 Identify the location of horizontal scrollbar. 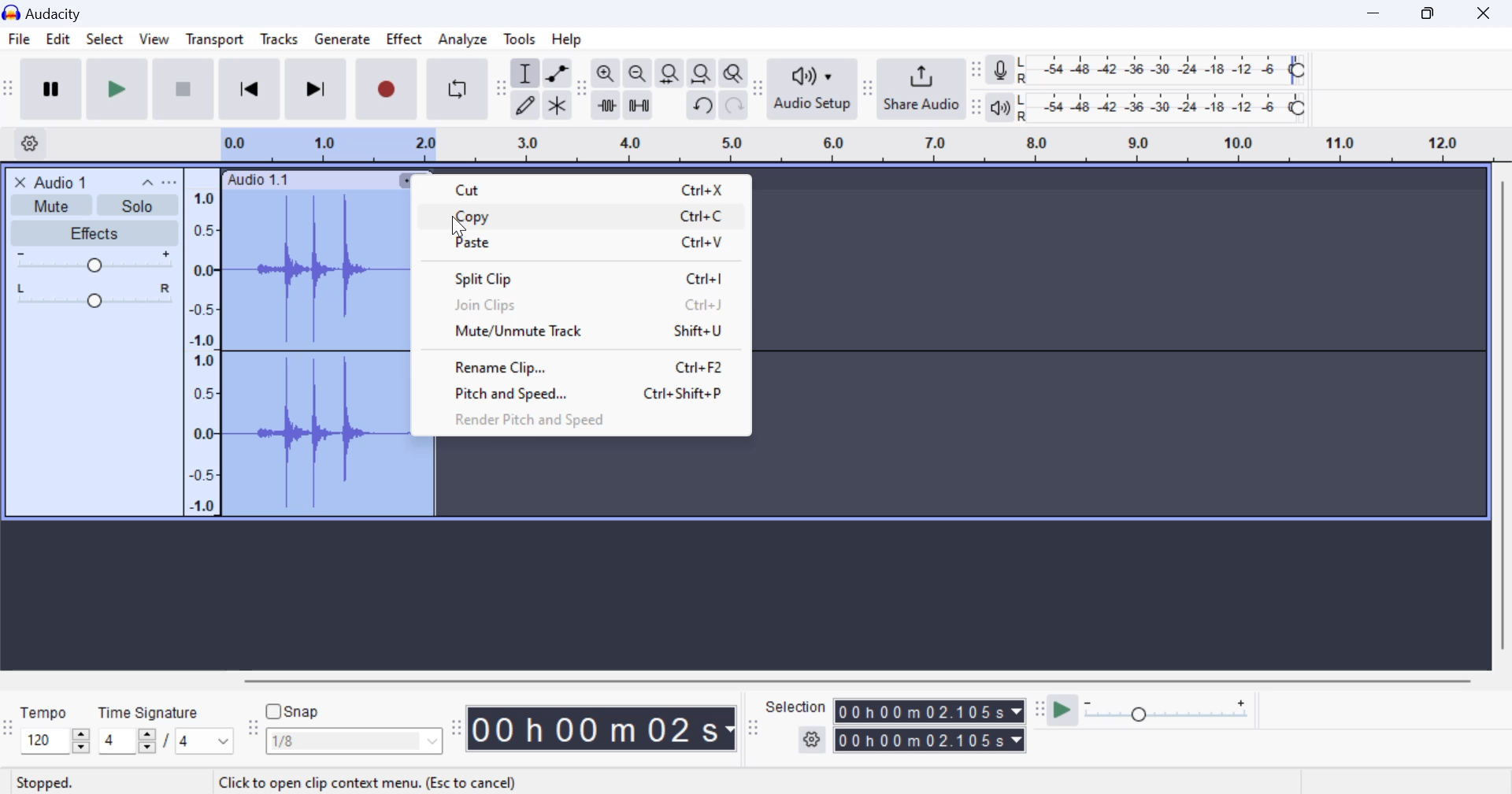
(873, 678).